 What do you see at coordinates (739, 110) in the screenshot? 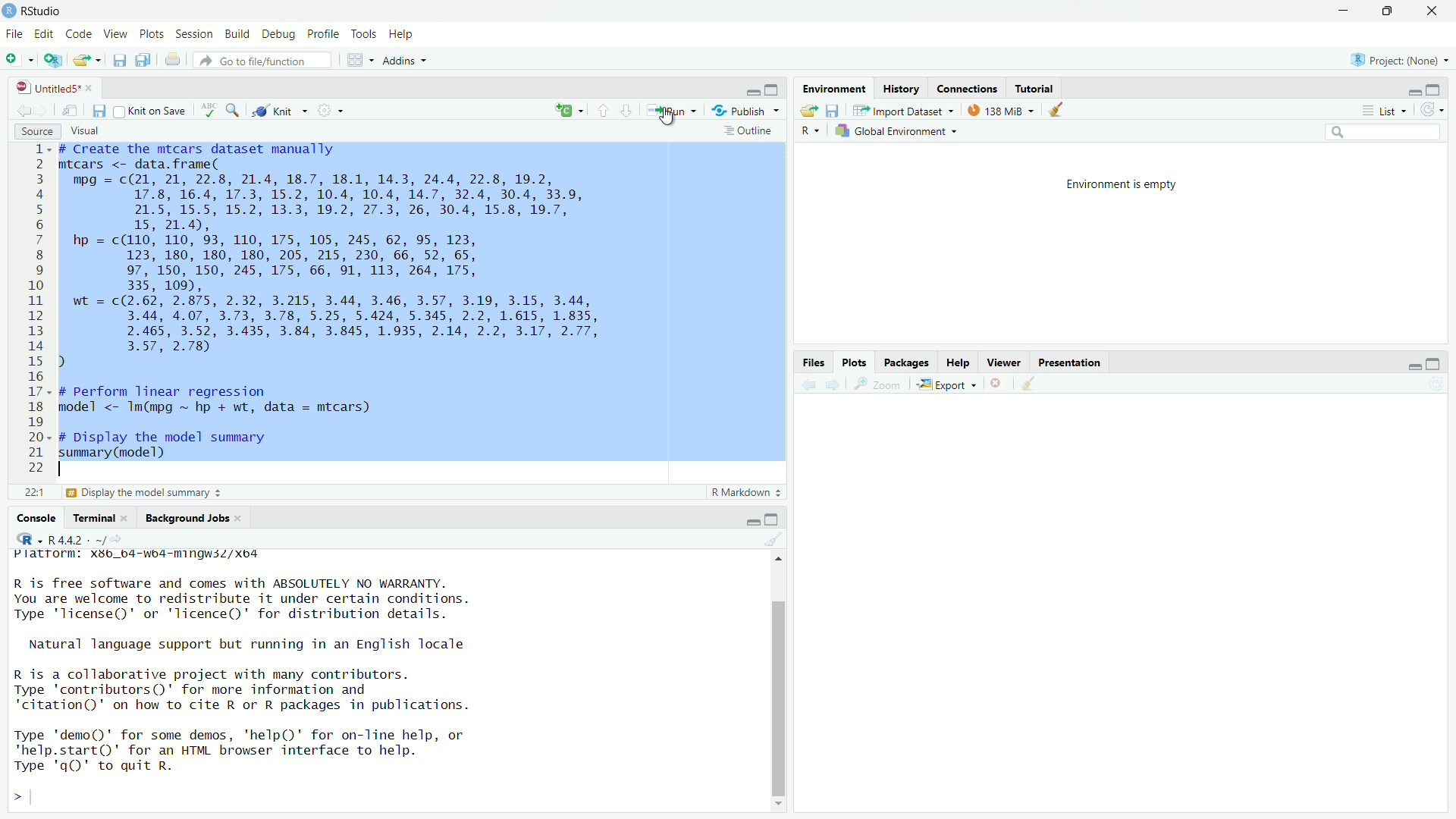
I see `Publish` at bounding box center [739, 110].